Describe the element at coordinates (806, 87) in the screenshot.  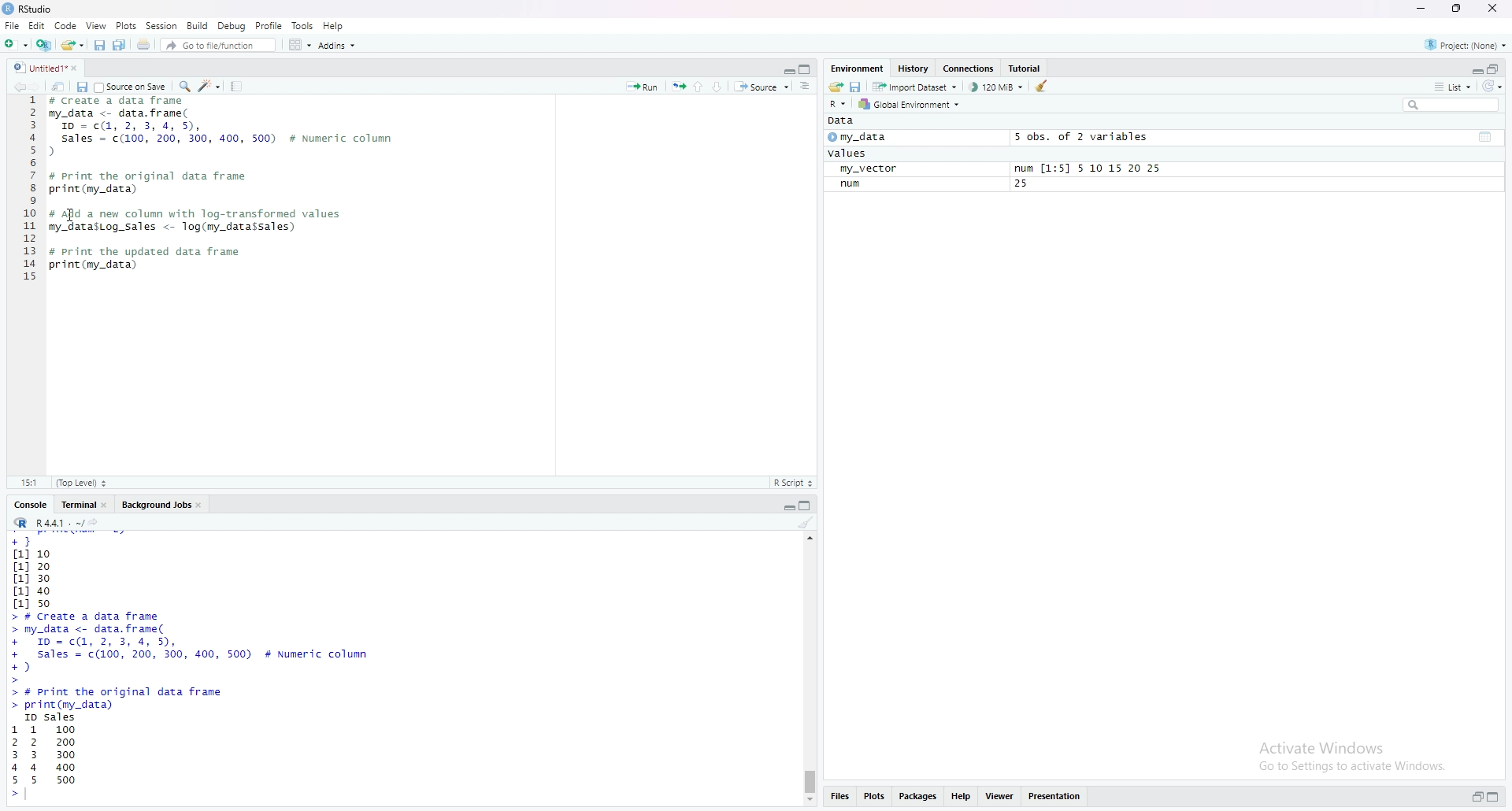
I see `show document outline` at that location.